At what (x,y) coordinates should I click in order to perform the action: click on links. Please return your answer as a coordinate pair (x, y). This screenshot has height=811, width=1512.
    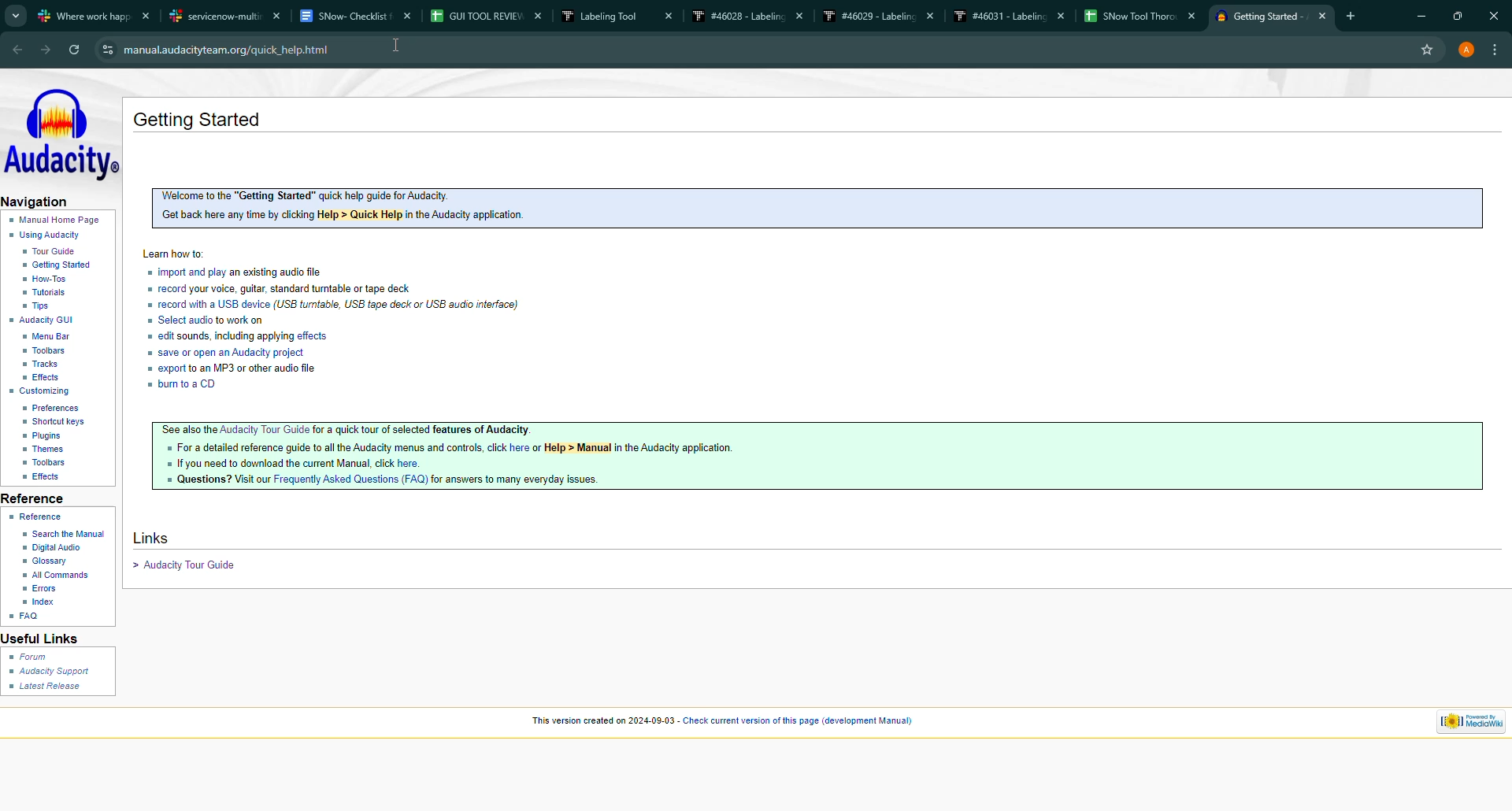
    Looking at the image, I should click on (157, 539).